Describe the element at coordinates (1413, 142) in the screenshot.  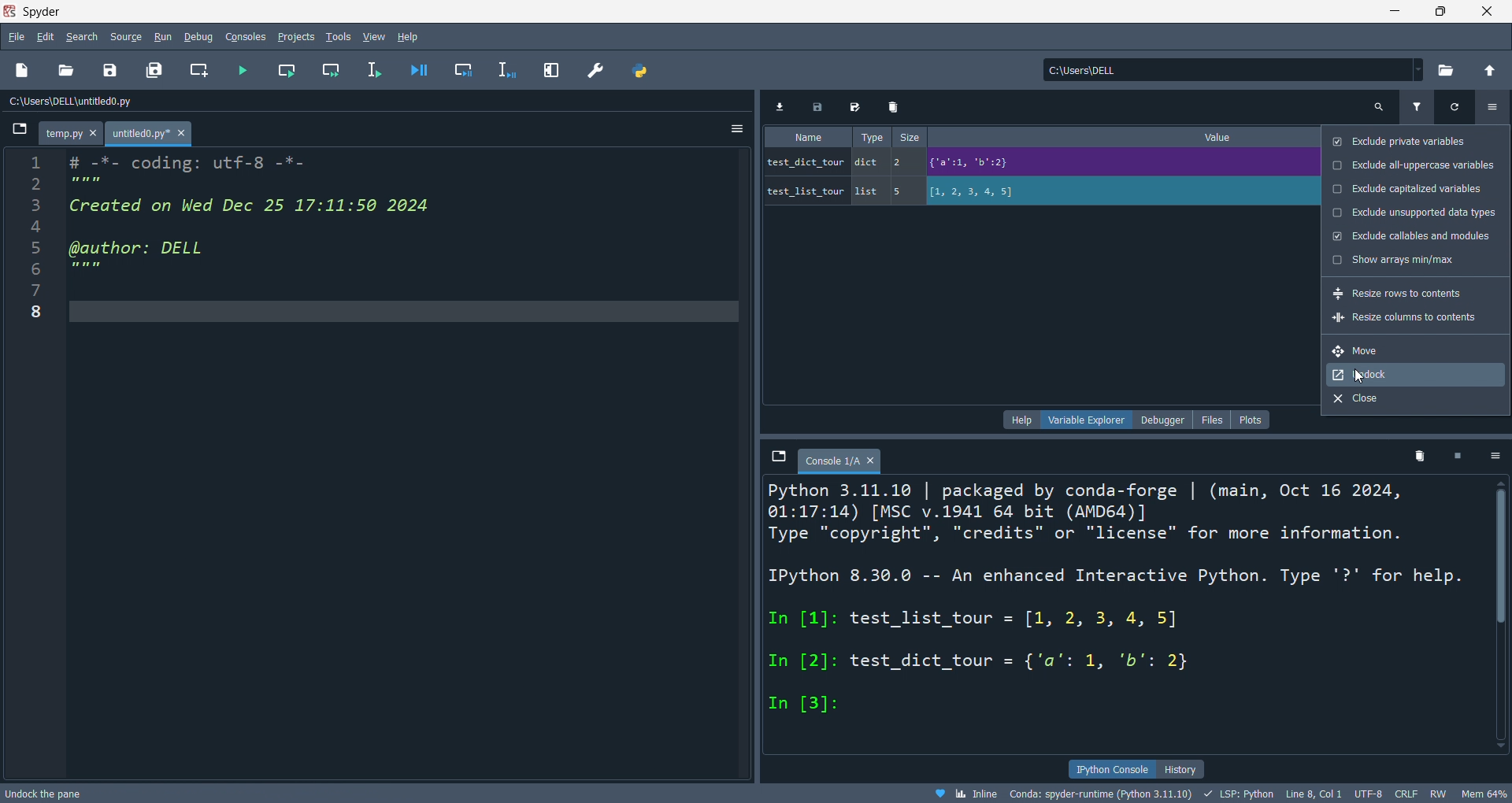
I see `exclude private variables` at that location.